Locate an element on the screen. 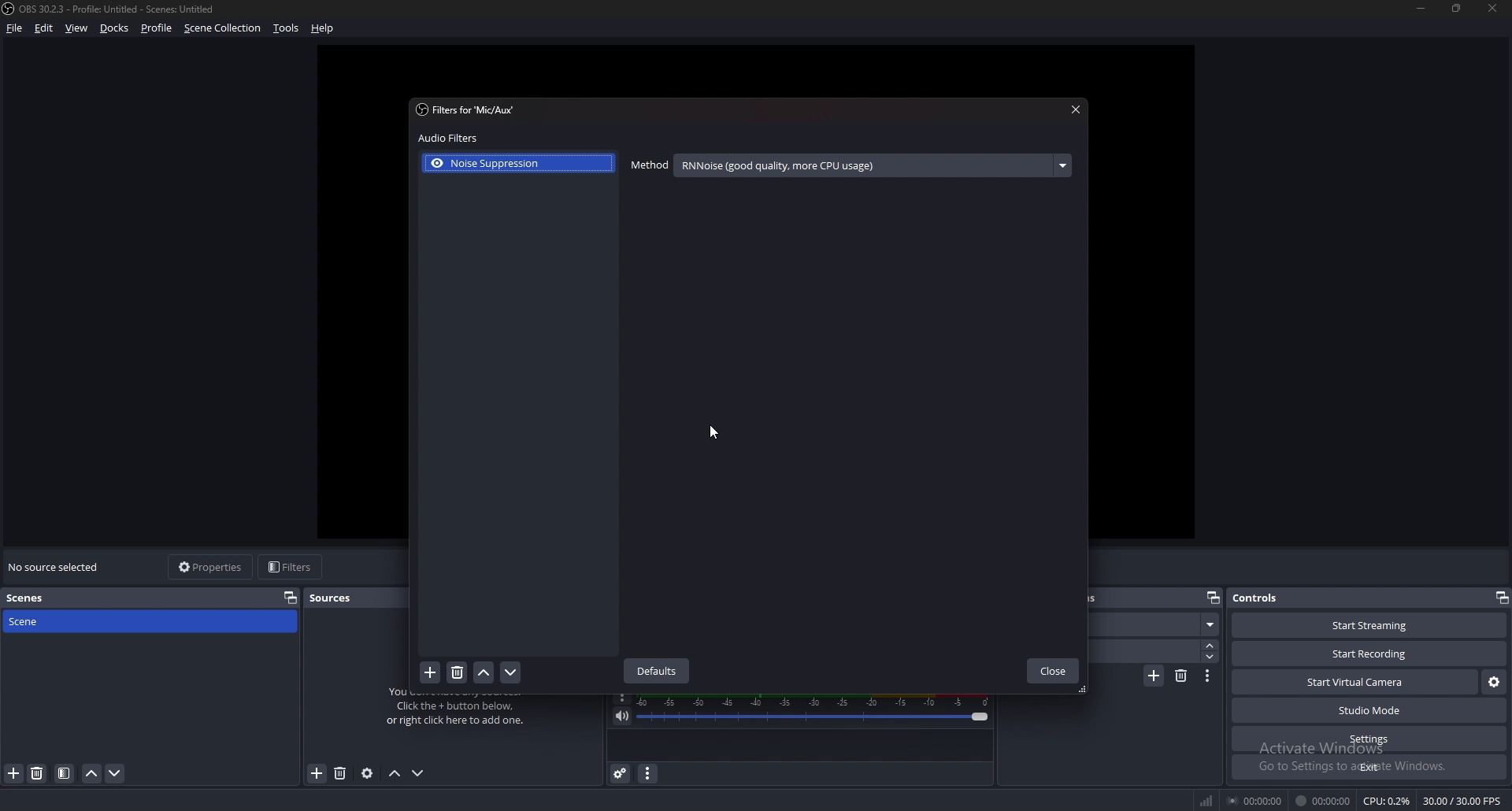  duration is located at coordinates (1145, 652).